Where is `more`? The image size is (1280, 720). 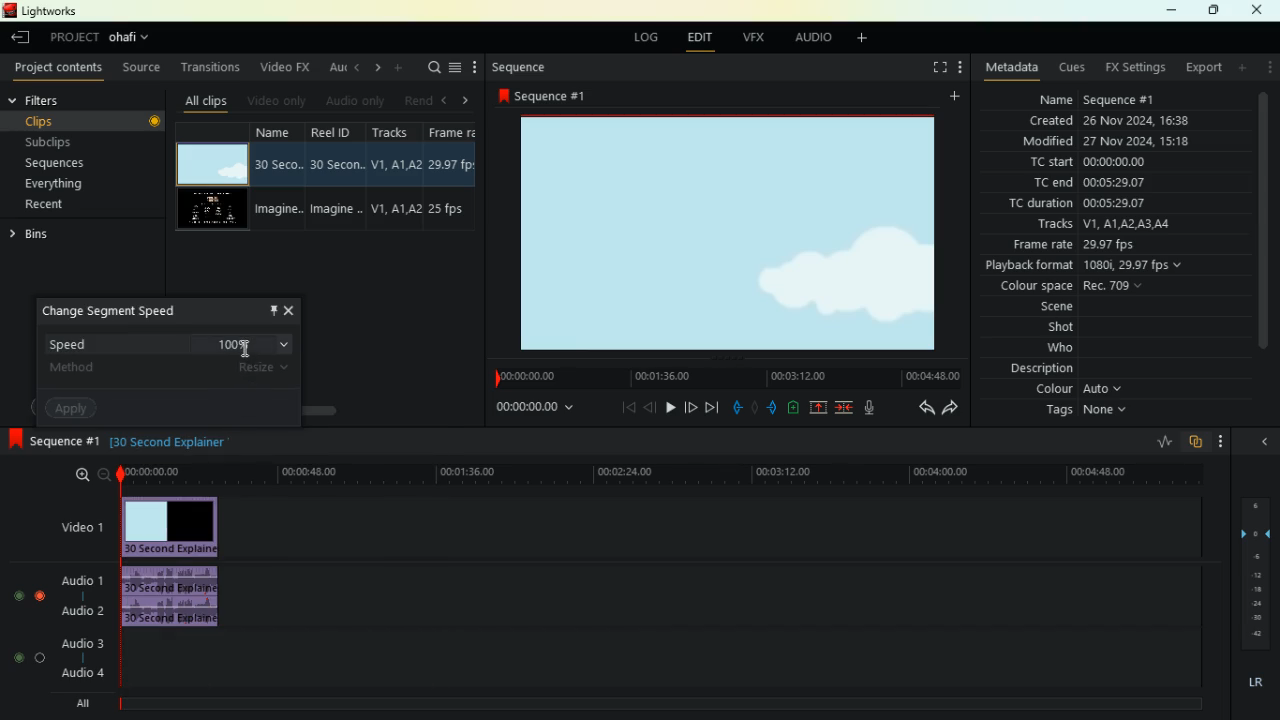
more is located at coordinates (477, 68).